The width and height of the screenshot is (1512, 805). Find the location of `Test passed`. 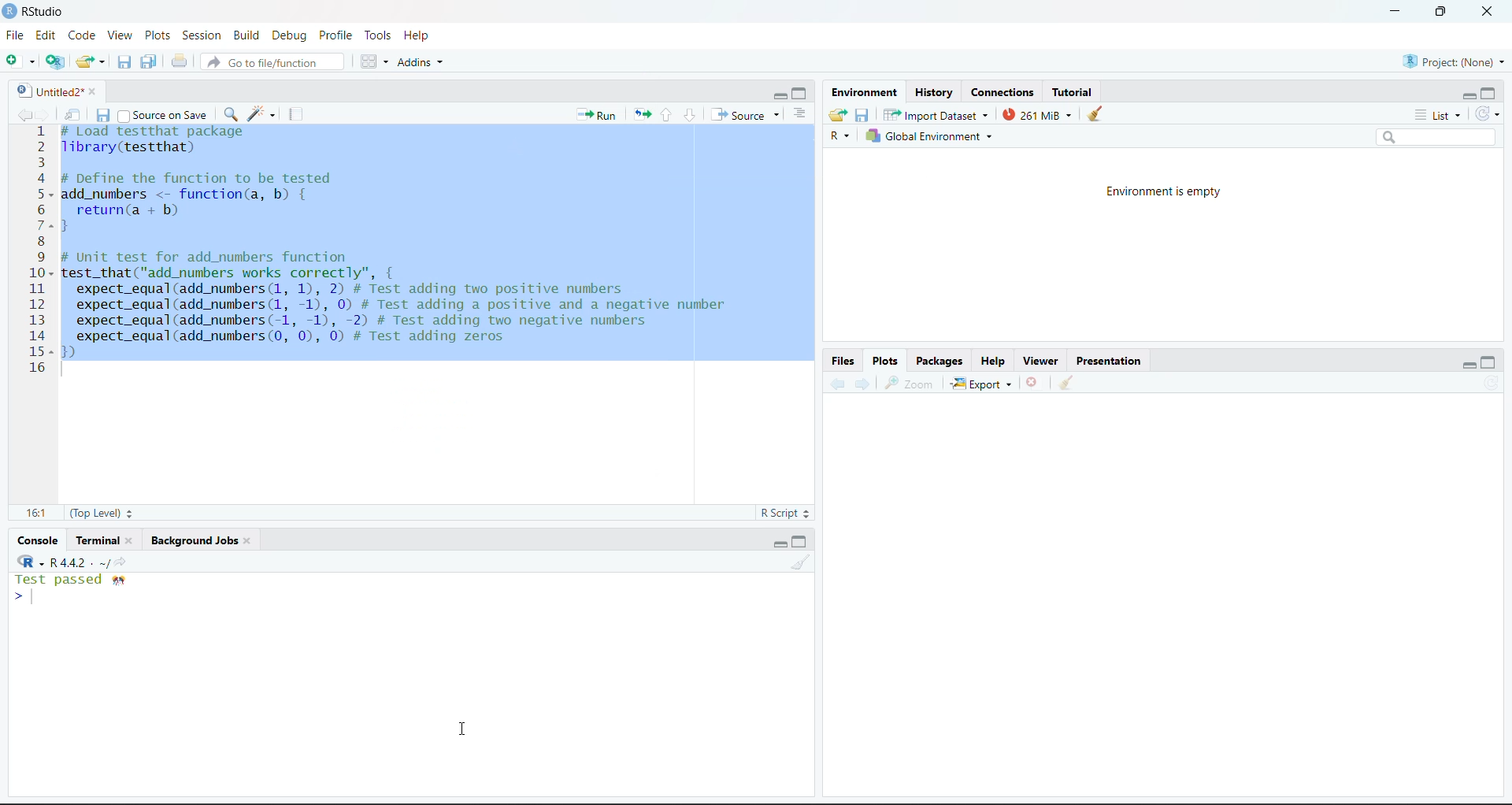

Test passed is located at coordinates (72, 580).